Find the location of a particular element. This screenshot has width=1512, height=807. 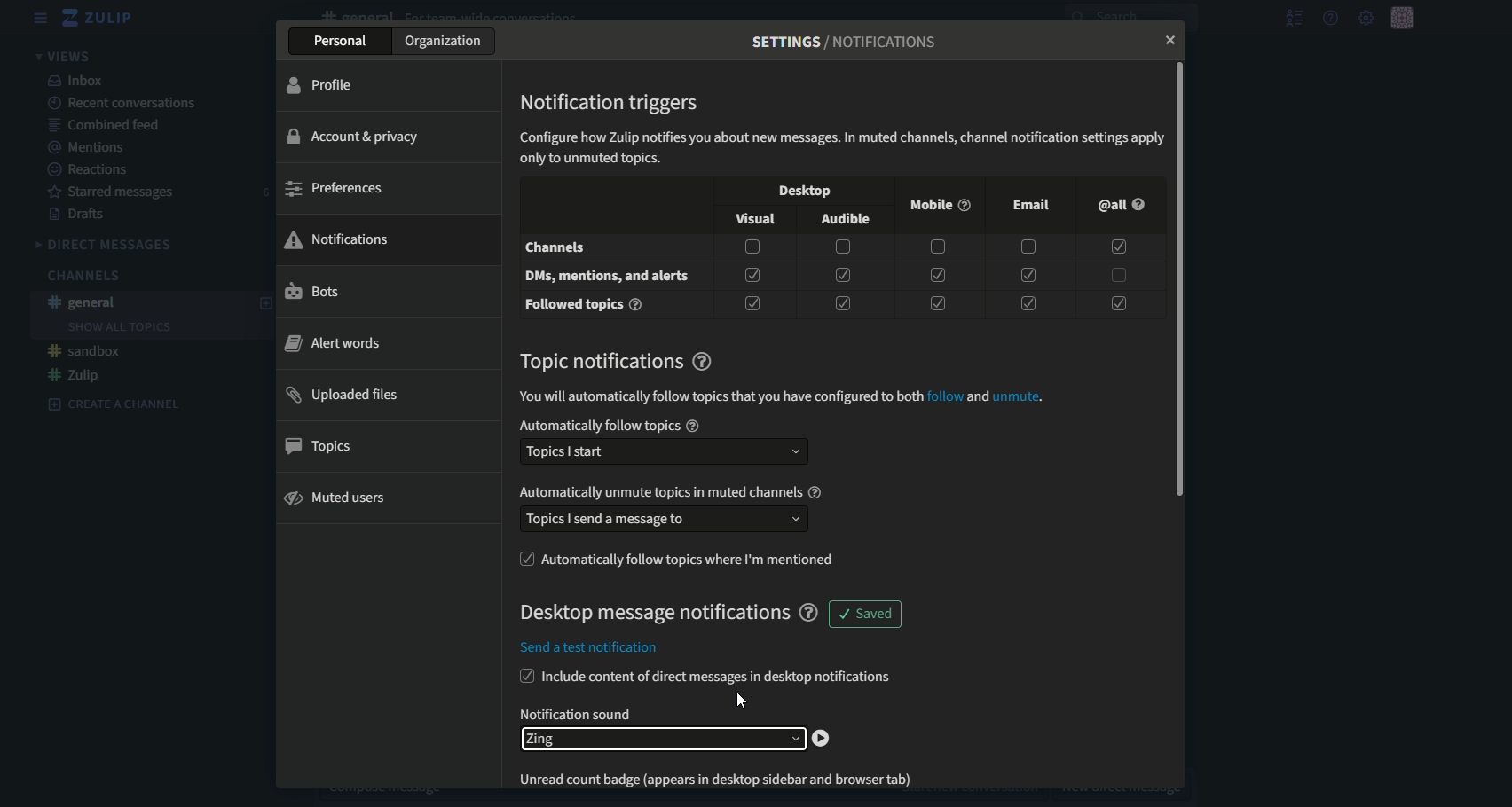

text is located at coordinates (611, 426).